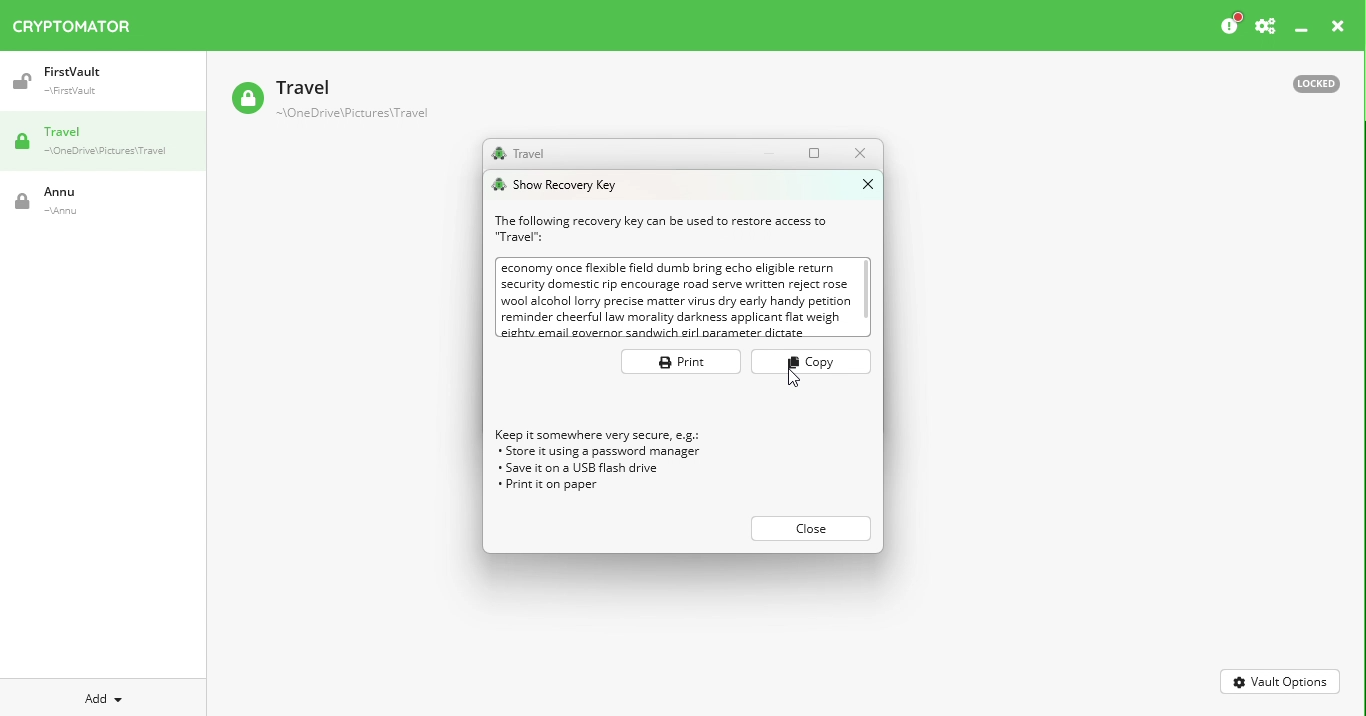 The width and height of the screenshot is (1366, 716). Describe the element at coordinates (1265, 27) in the screenshot. I see `Preferences` at that location.